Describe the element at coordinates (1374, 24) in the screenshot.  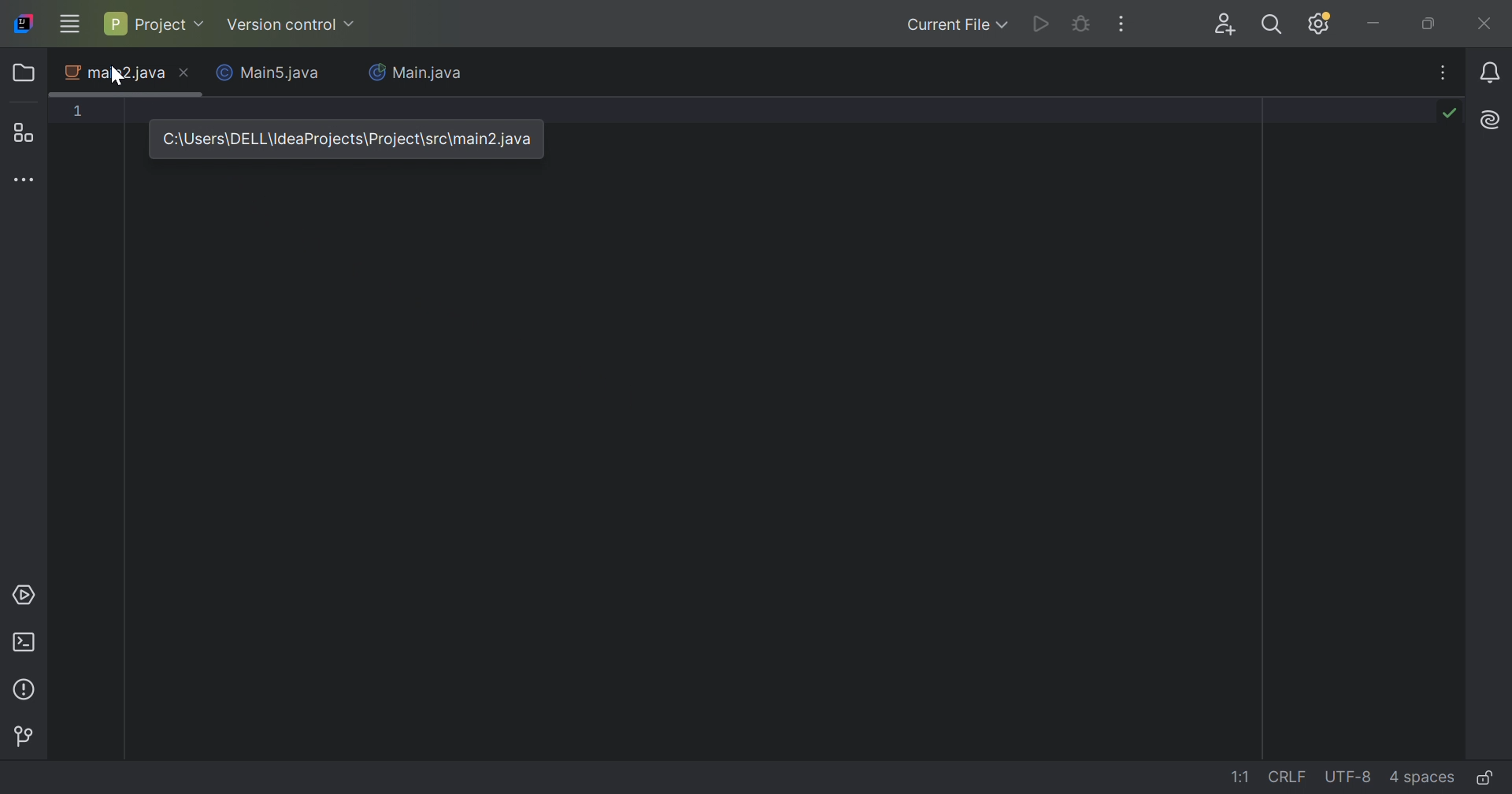
I see `Minimize` at that location.